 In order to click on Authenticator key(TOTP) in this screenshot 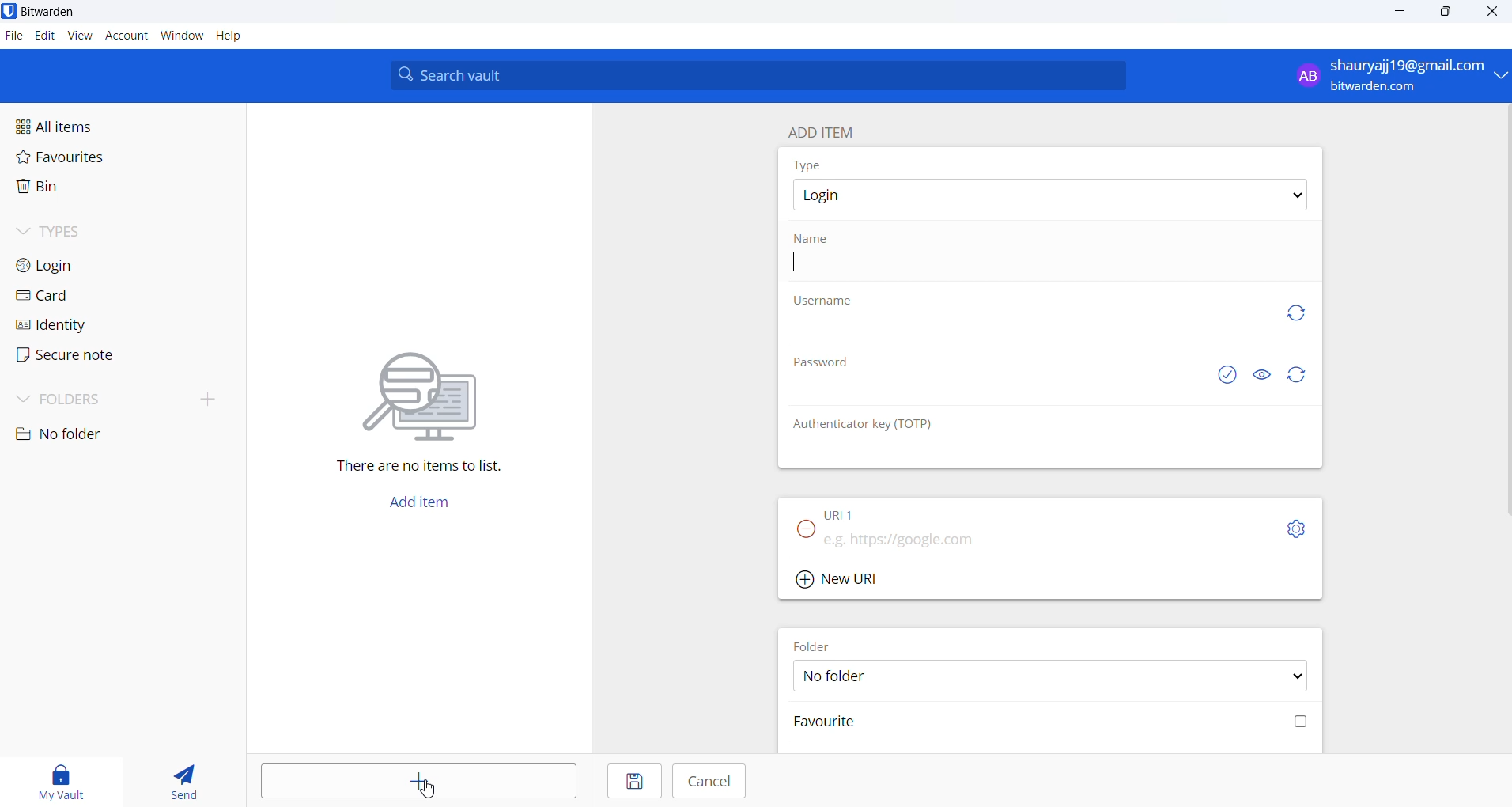, I will do `click(864, 425)`.